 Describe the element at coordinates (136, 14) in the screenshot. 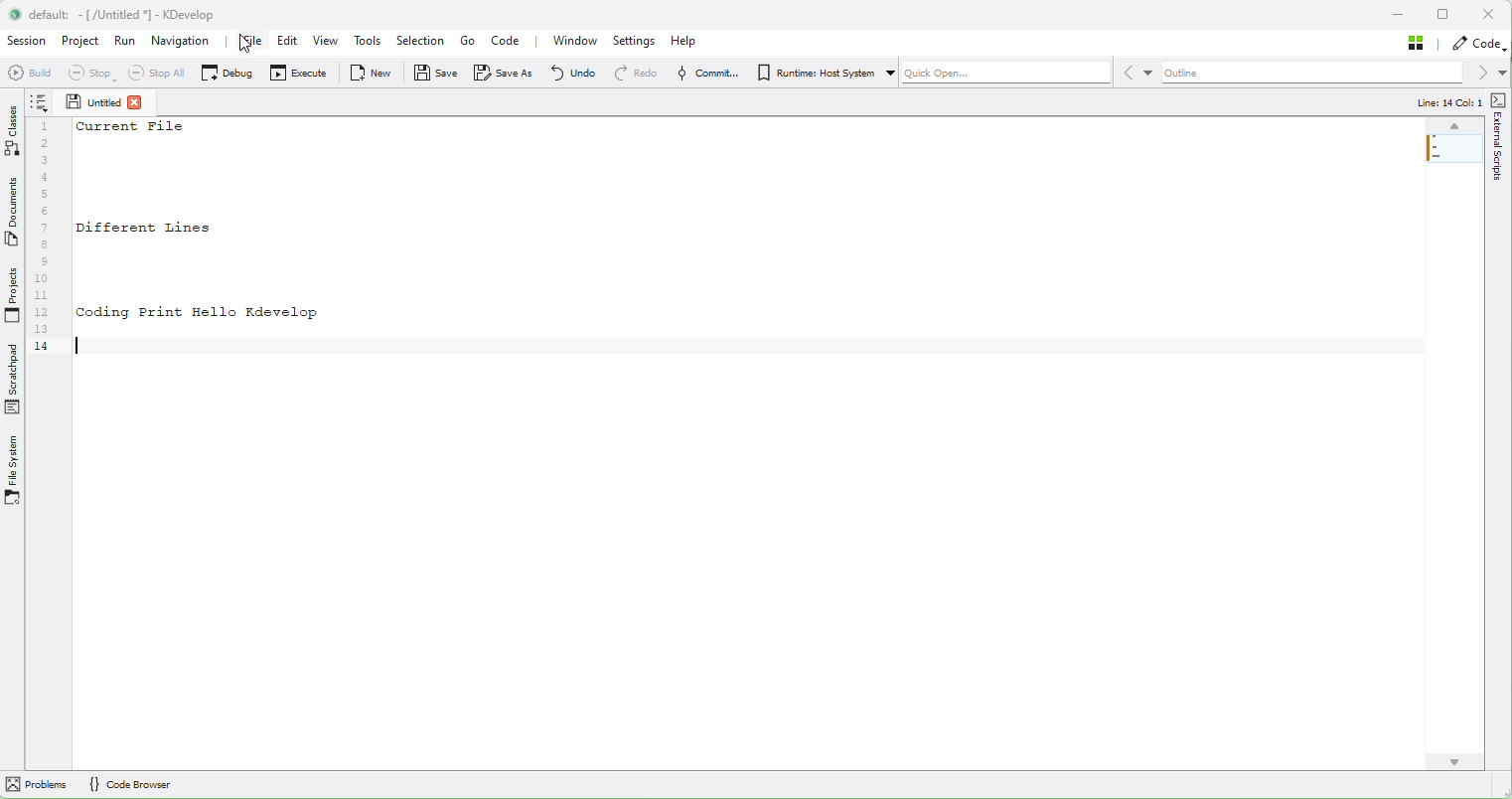

I see `default: - [ /Untitled *] - KDevelop` at that location.